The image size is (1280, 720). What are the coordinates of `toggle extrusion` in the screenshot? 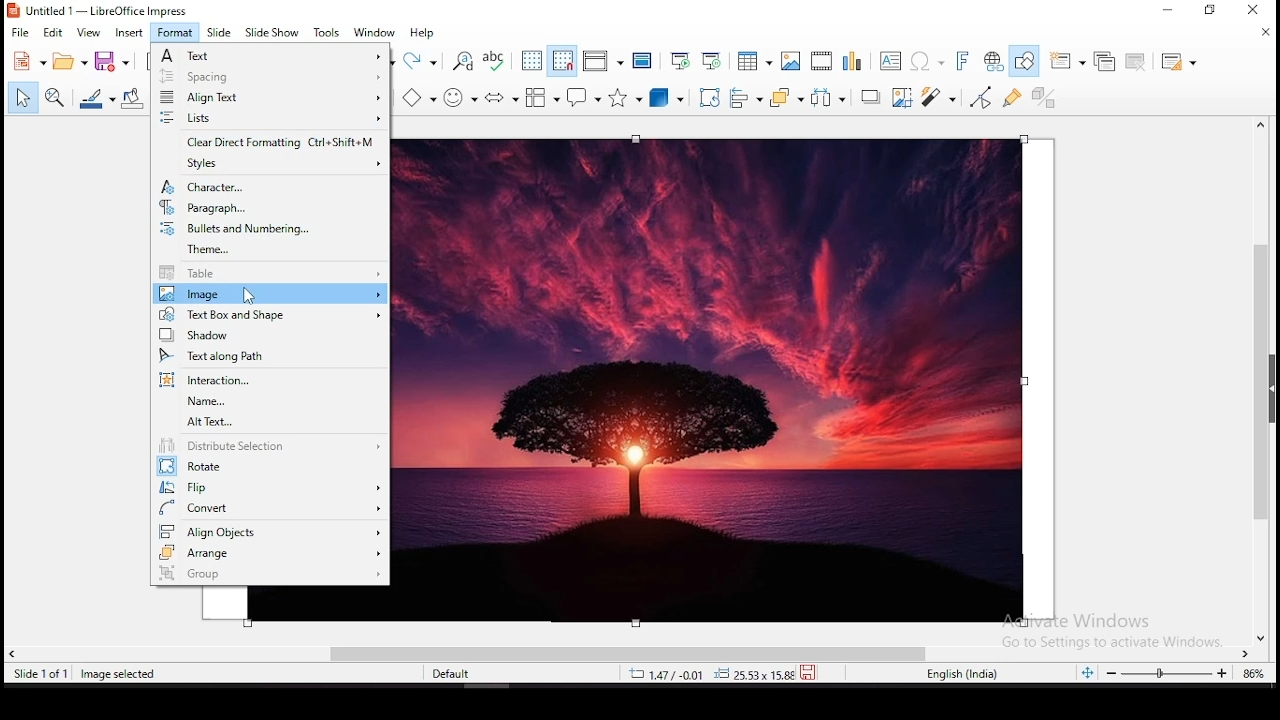 It's located at (1045, 95).